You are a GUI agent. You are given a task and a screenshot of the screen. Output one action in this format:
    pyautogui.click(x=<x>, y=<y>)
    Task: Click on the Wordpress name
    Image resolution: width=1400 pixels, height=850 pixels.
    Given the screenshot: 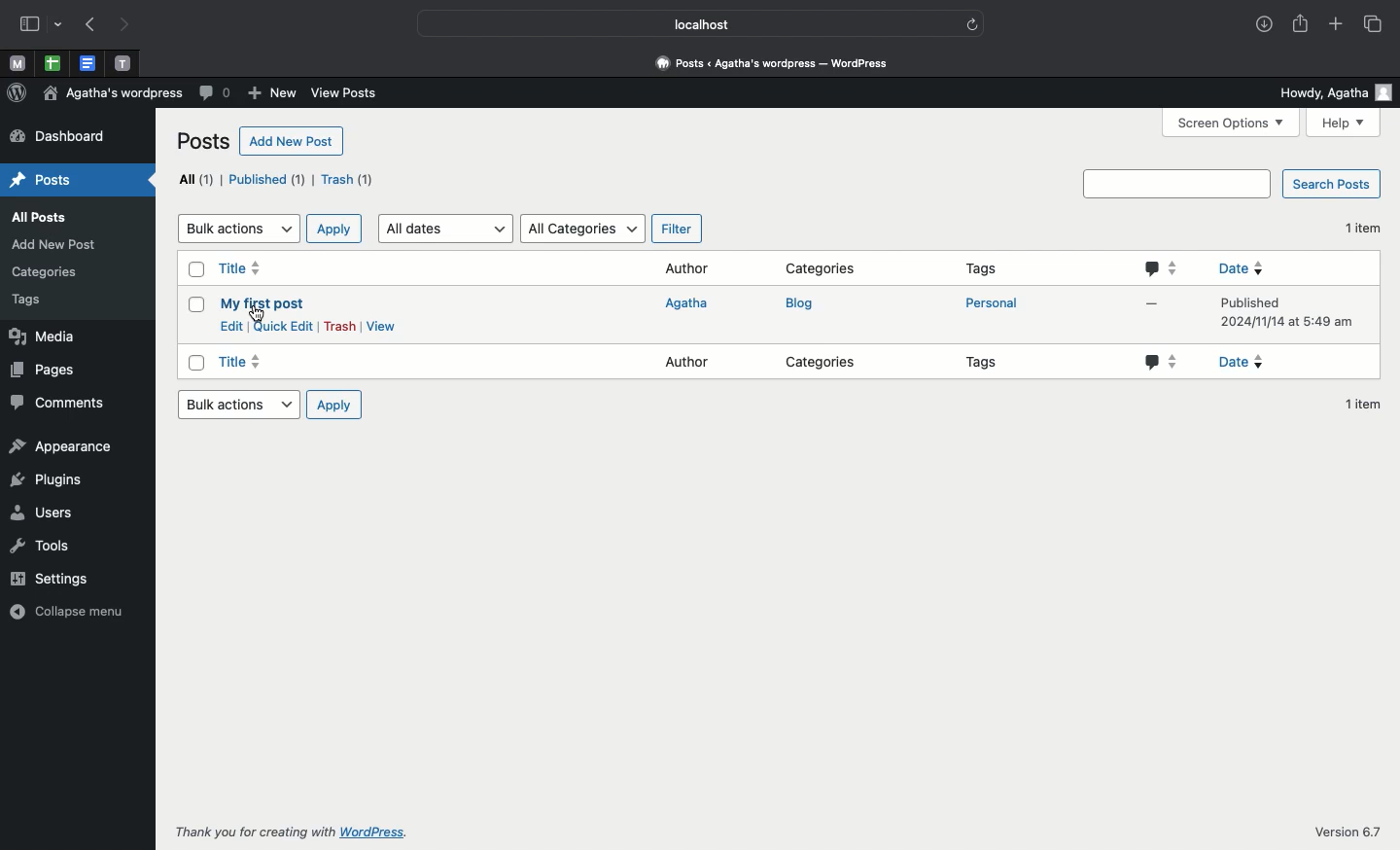 What is the action you would take?
    pyautogui.click(x=113, y=93)
    